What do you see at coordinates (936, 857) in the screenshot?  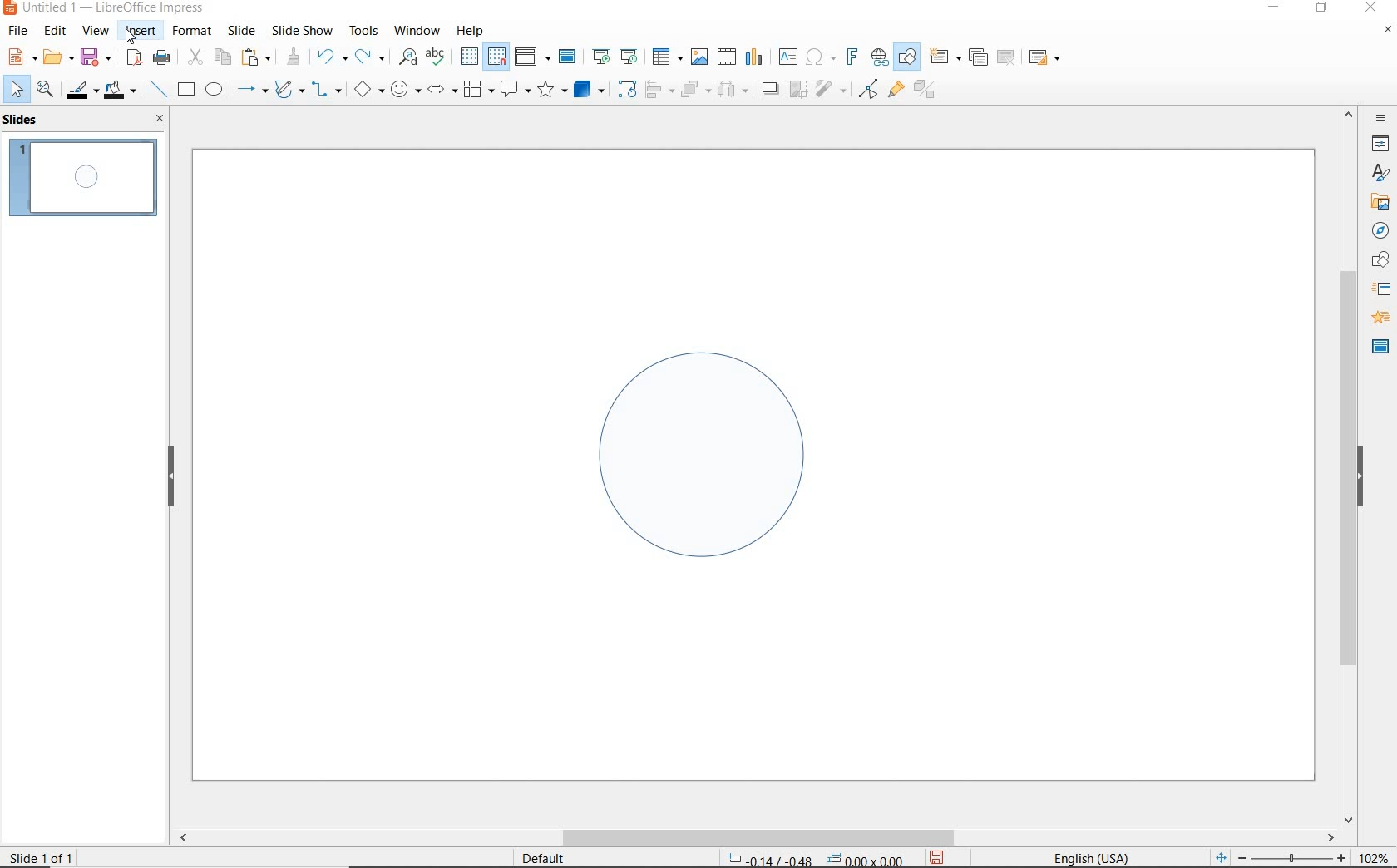 I see `save` at bounding box center [936, 857].